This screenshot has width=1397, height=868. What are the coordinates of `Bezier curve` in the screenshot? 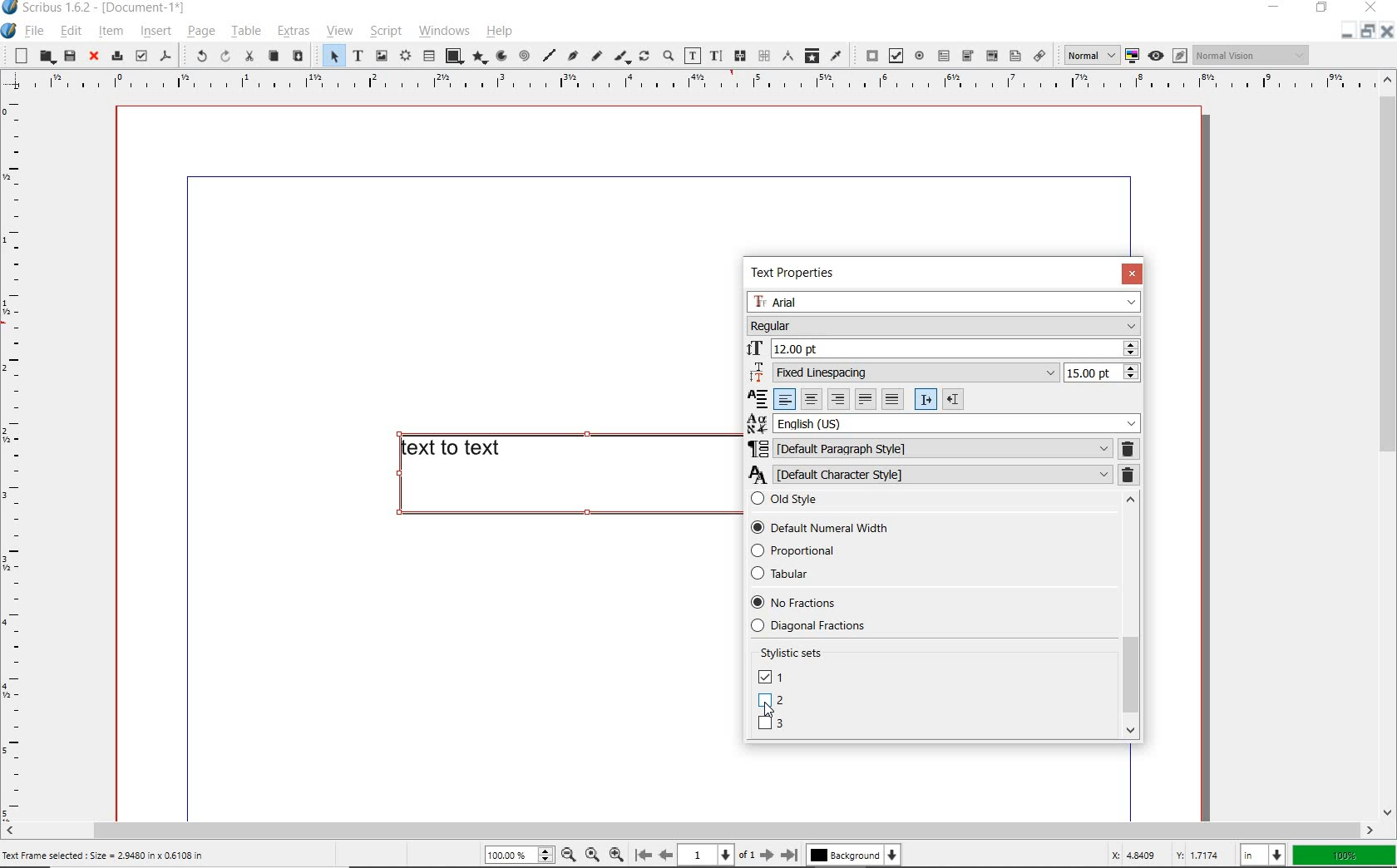 It's located at (572, 57).